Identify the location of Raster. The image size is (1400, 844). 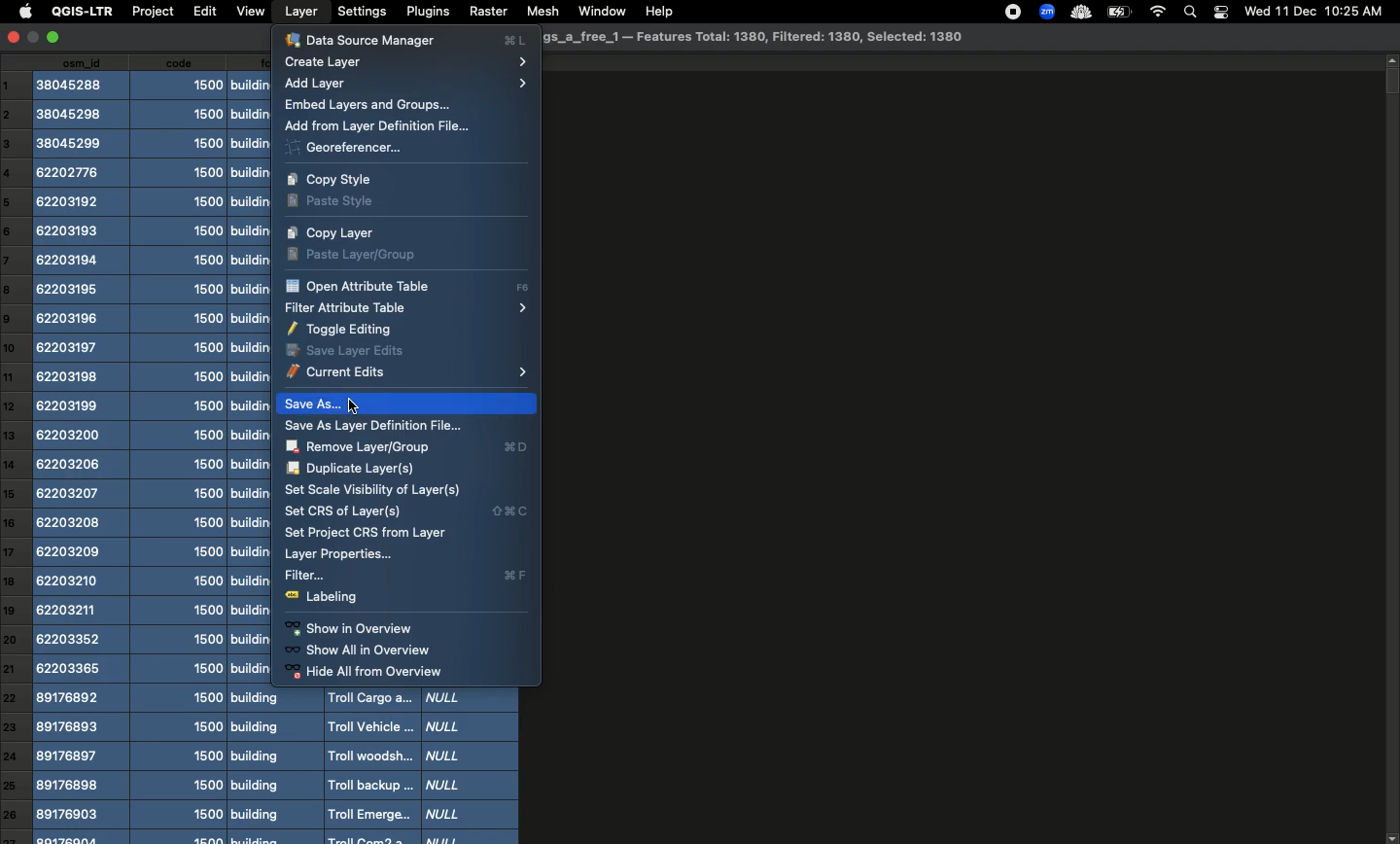
(487, 11).